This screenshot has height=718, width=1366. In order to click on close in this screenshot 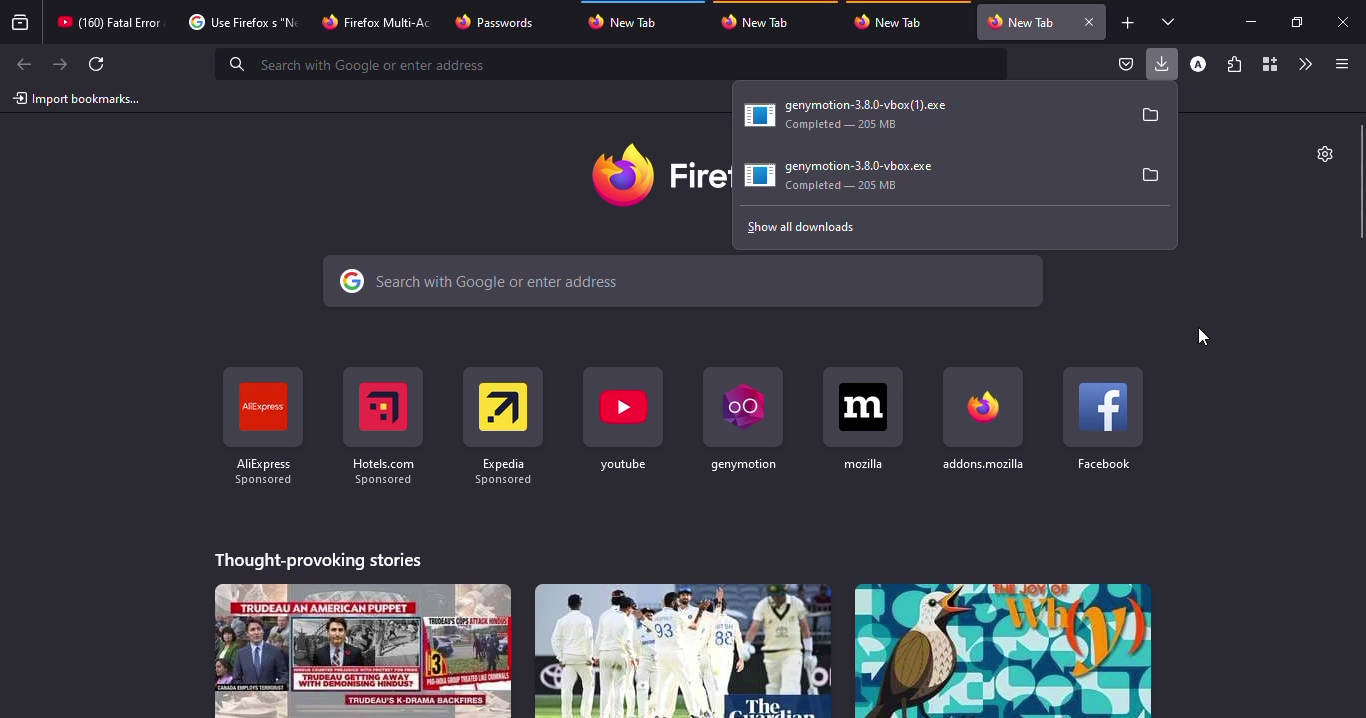, I will do `click(1345, 23)`.